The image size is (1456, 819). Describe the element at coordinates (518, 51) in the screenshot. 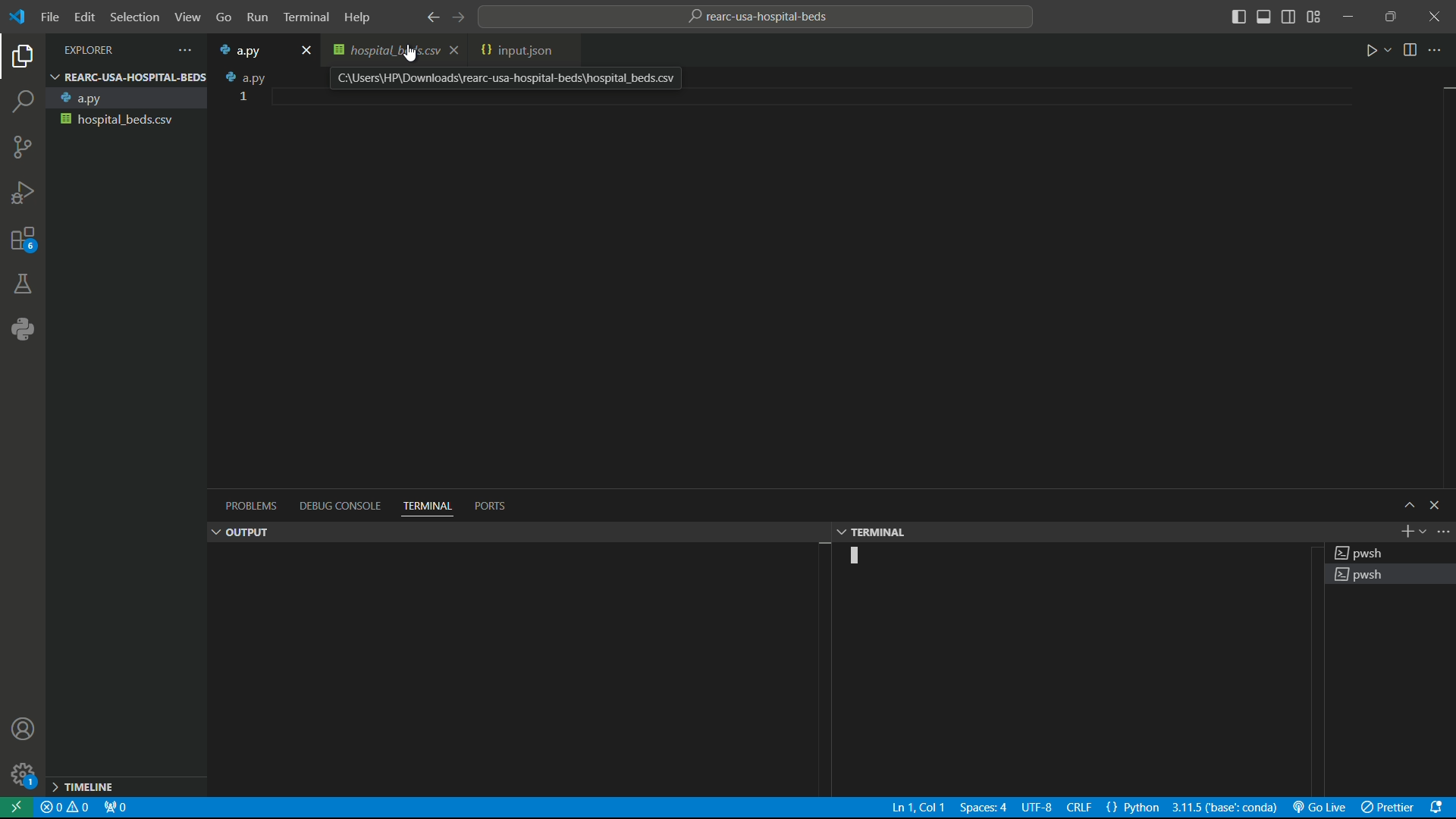

I see `input.json` at that location.